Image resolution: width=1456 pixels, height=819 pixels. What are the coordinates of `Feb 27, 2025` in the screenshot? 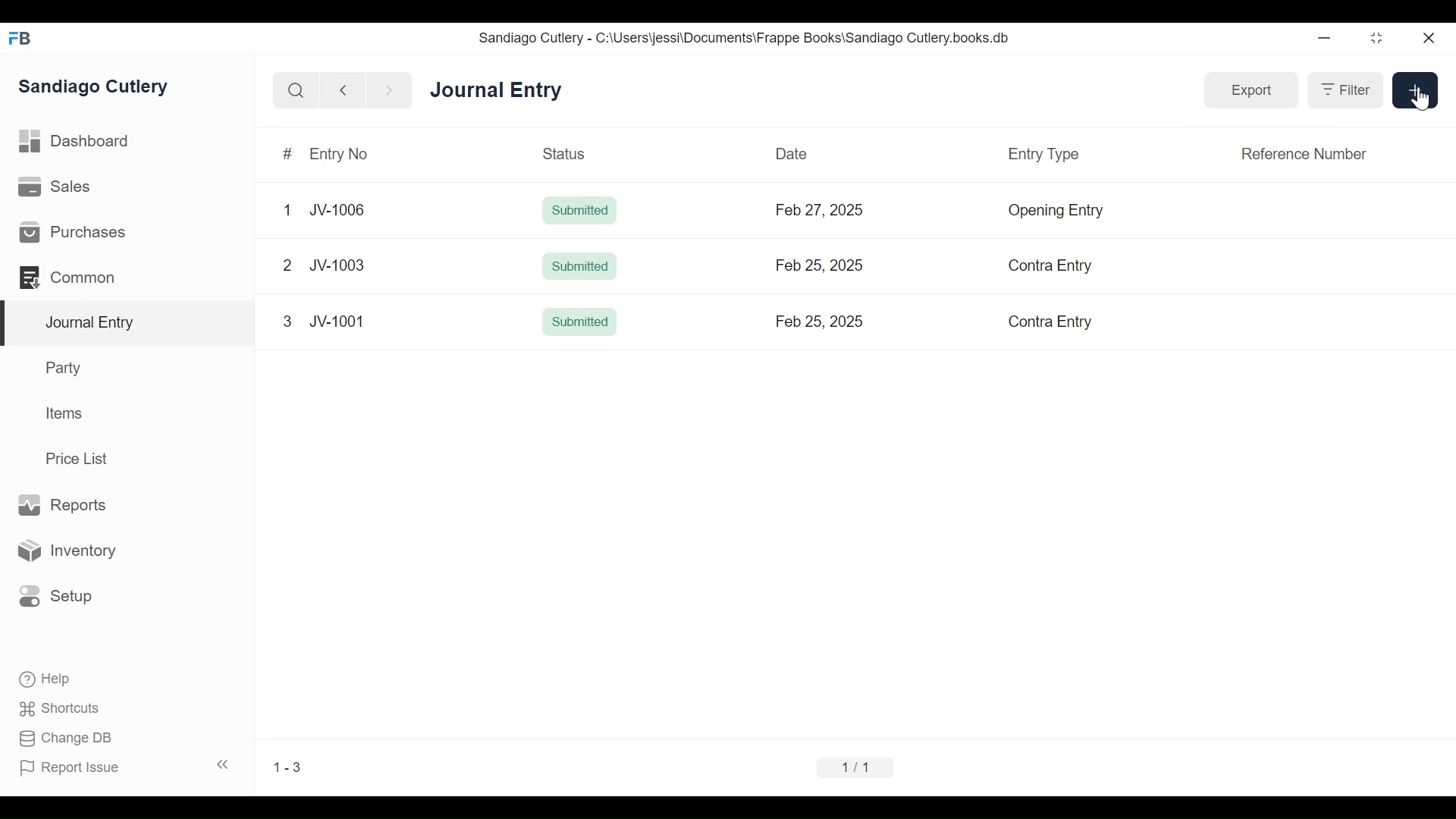 It's located at (817, 209).